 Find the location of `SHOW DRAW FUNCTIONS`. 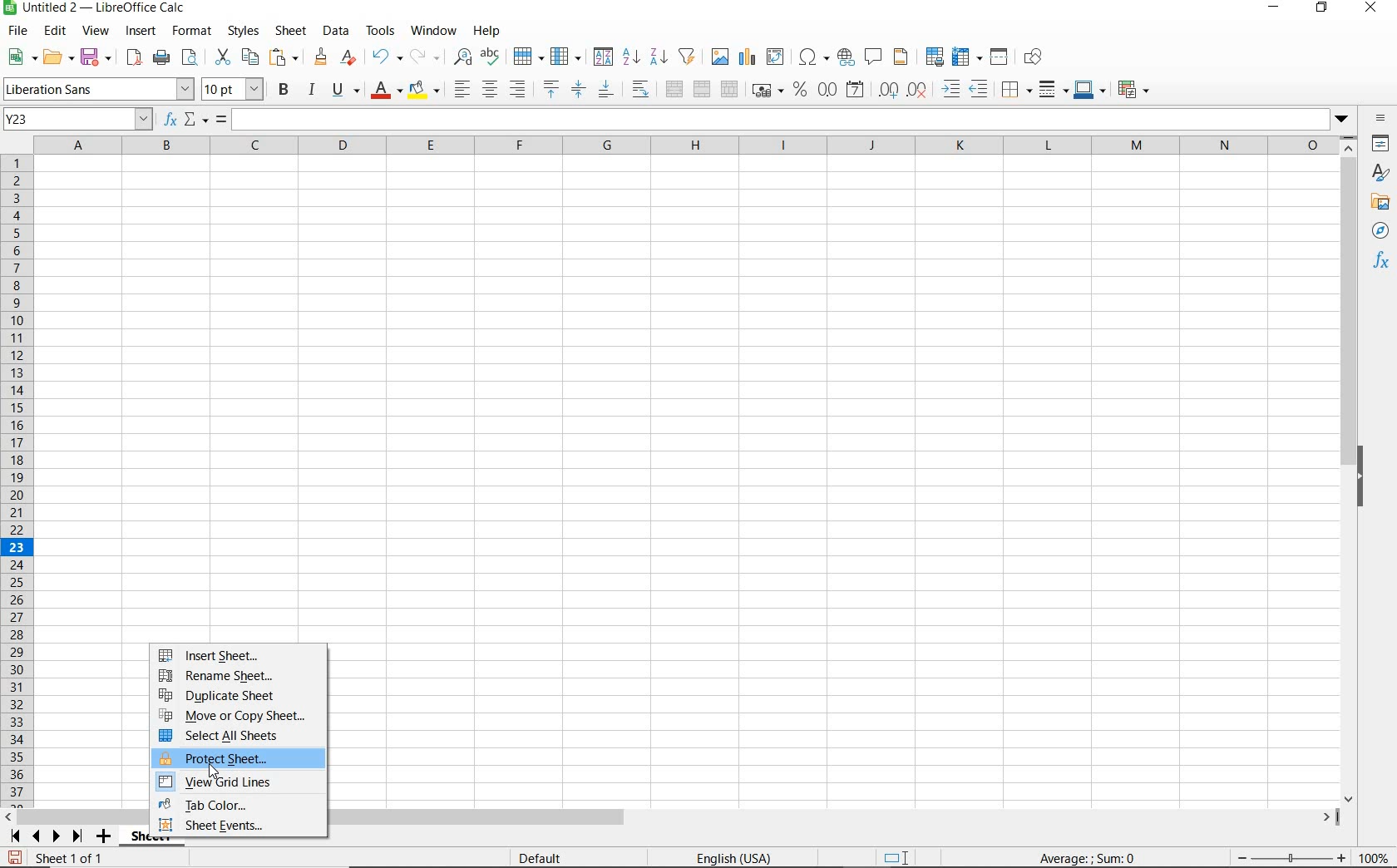

SHOW DRAW FUNCTIONS is located at coordinates (1034, 57).